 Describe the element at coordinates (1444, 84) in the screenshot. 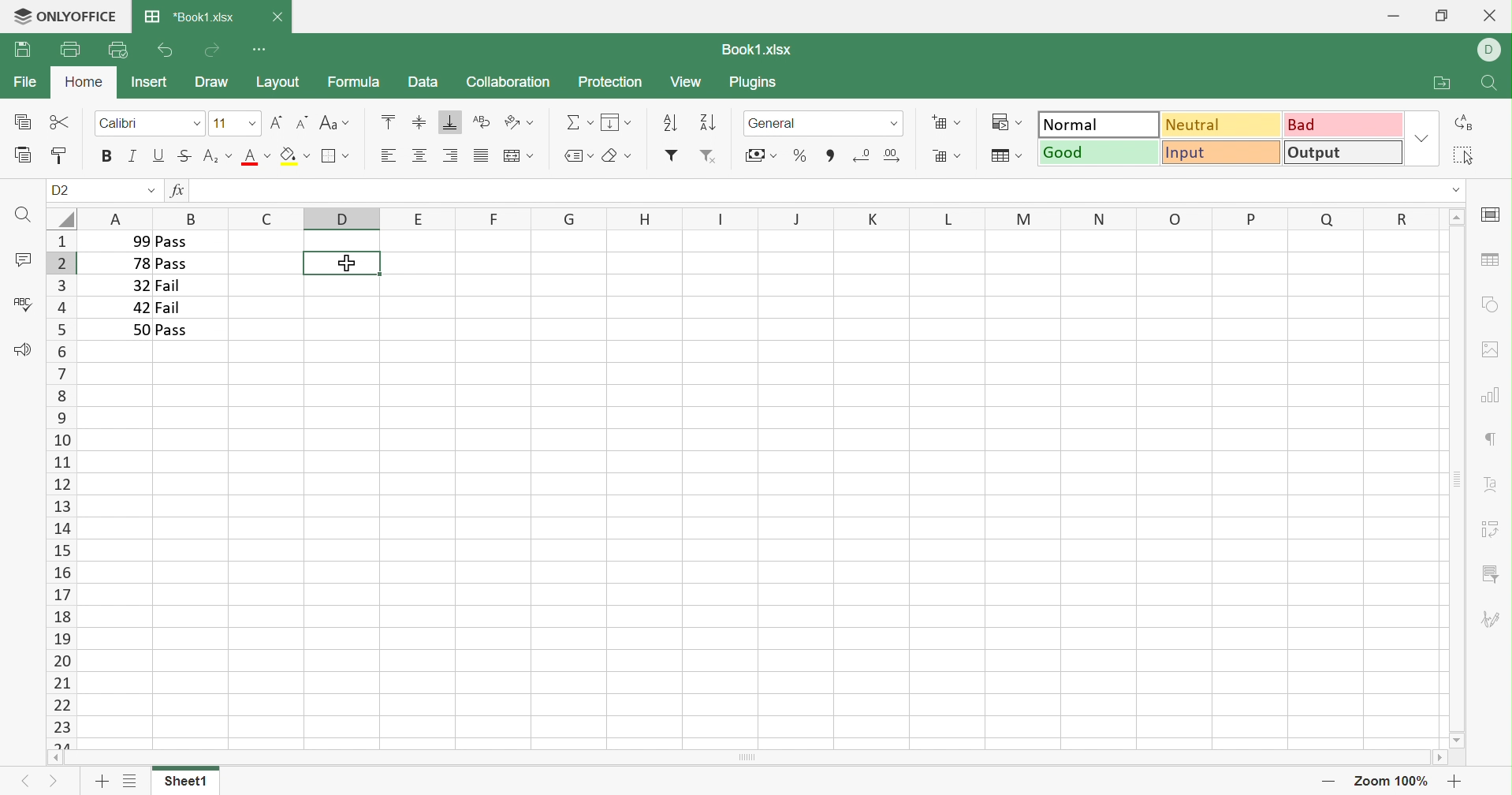

I see `Go to file location` at that location.